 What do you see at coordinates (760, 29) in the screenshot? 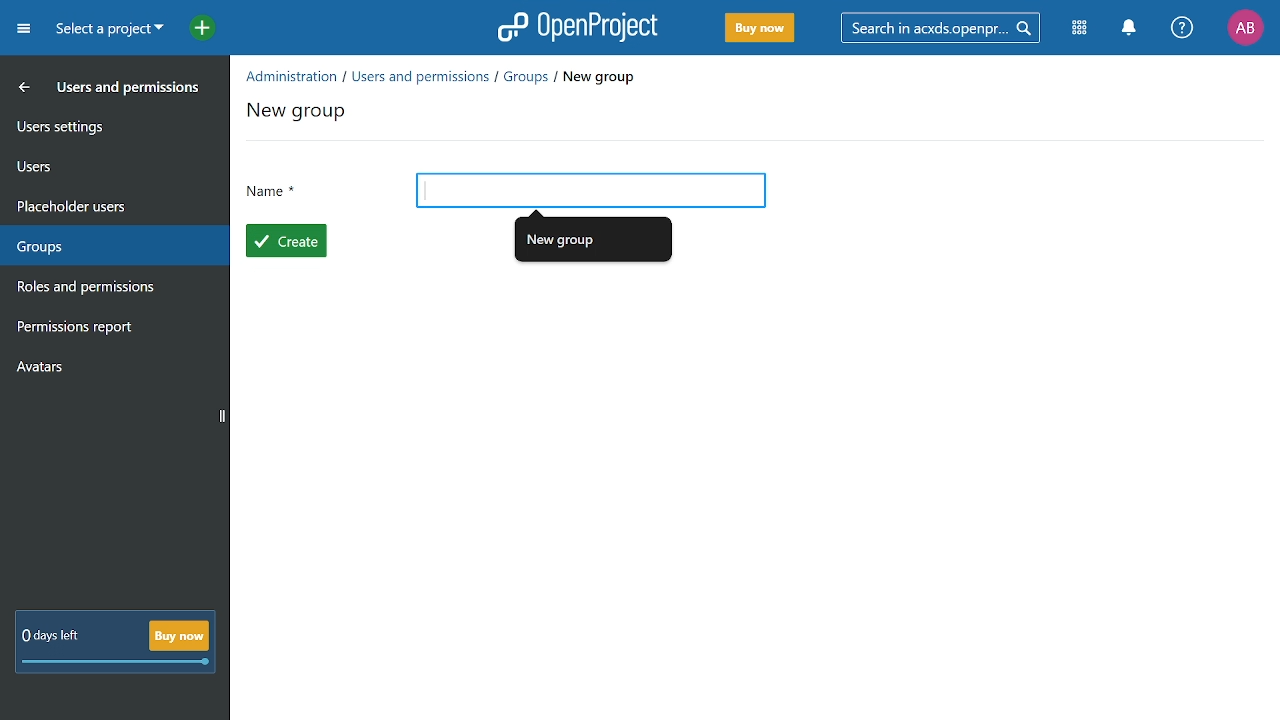
I see `Buy Now` at bounding box center [760, 29].